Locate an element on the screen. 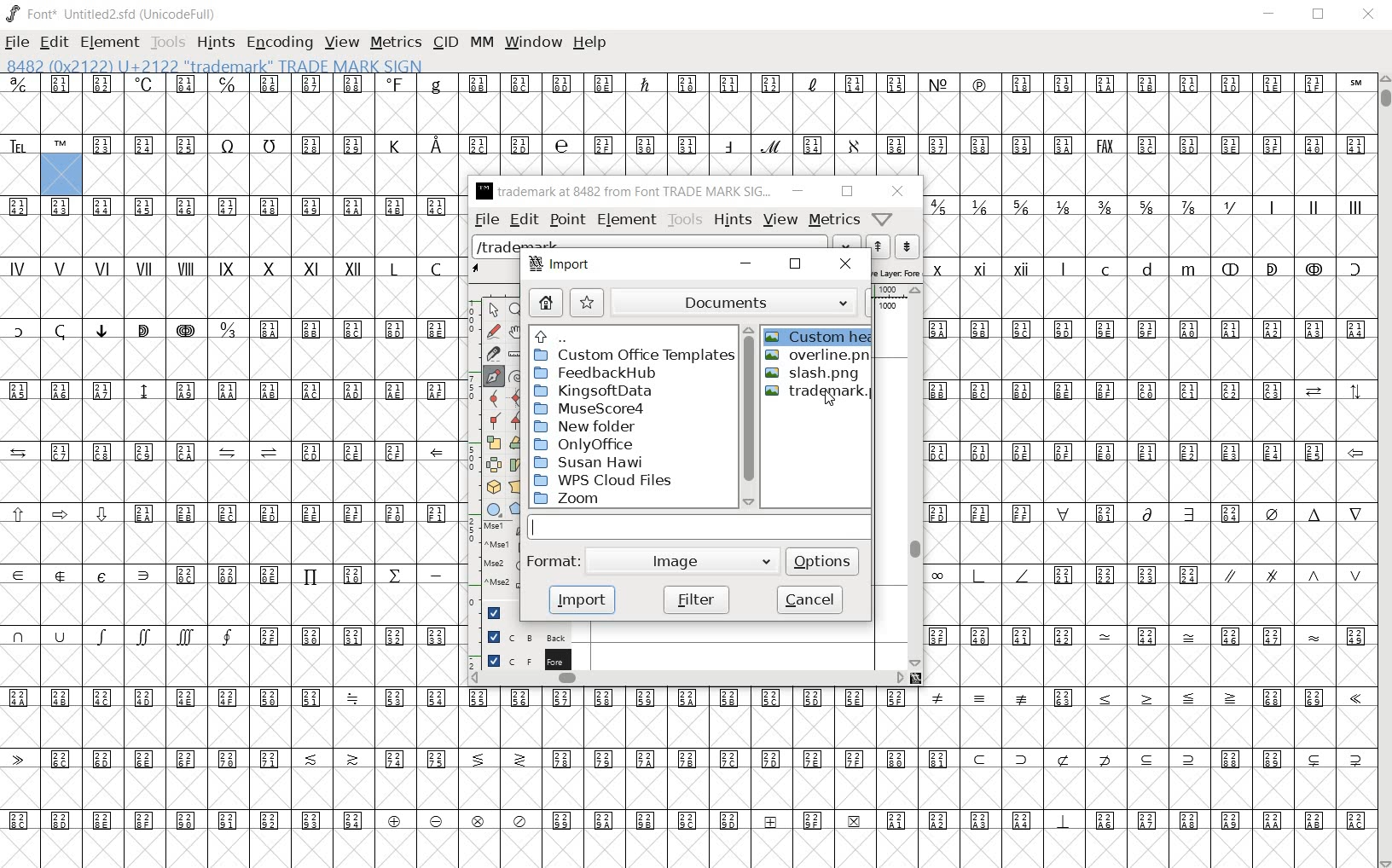  background is located at coordinates (521, 634).